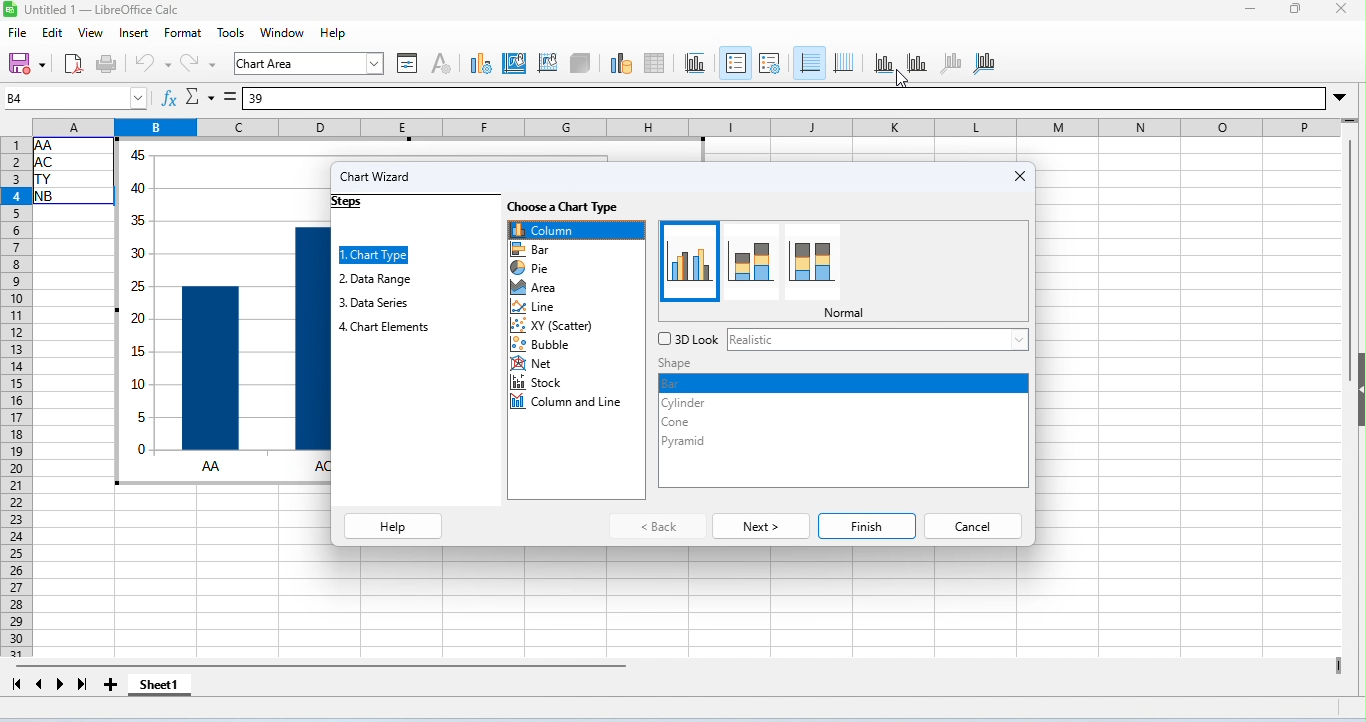 Image resolution: width=1366 pixels, height=722 pixels. What do you see at coordinates (542, 269) in the screenshot?
I see `pie` at bounding box center [542, 269].